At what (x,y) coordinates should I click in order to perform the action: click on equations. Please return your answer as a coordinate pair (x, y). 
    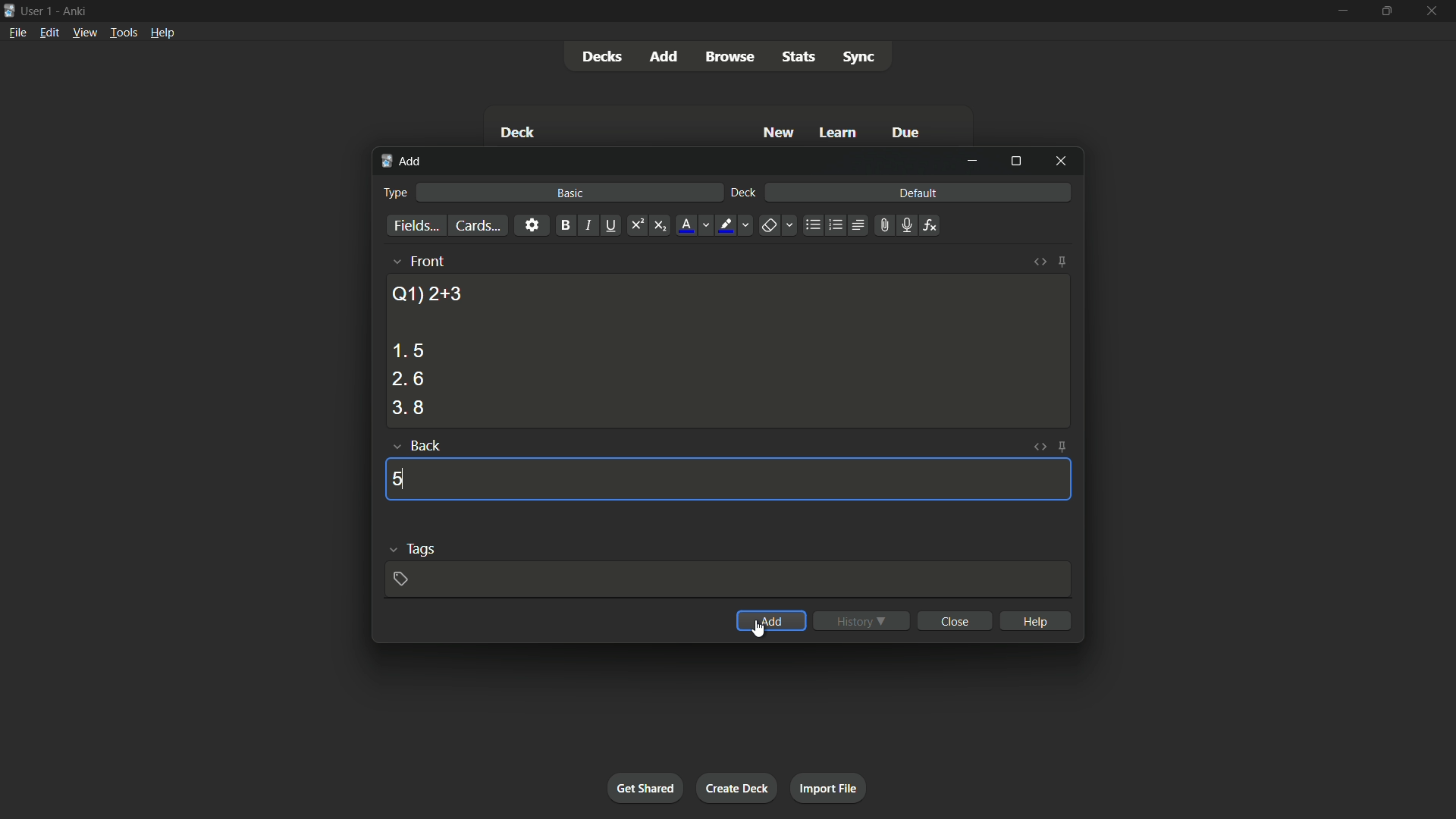
    Looking at the image, I should click on (930, 225).